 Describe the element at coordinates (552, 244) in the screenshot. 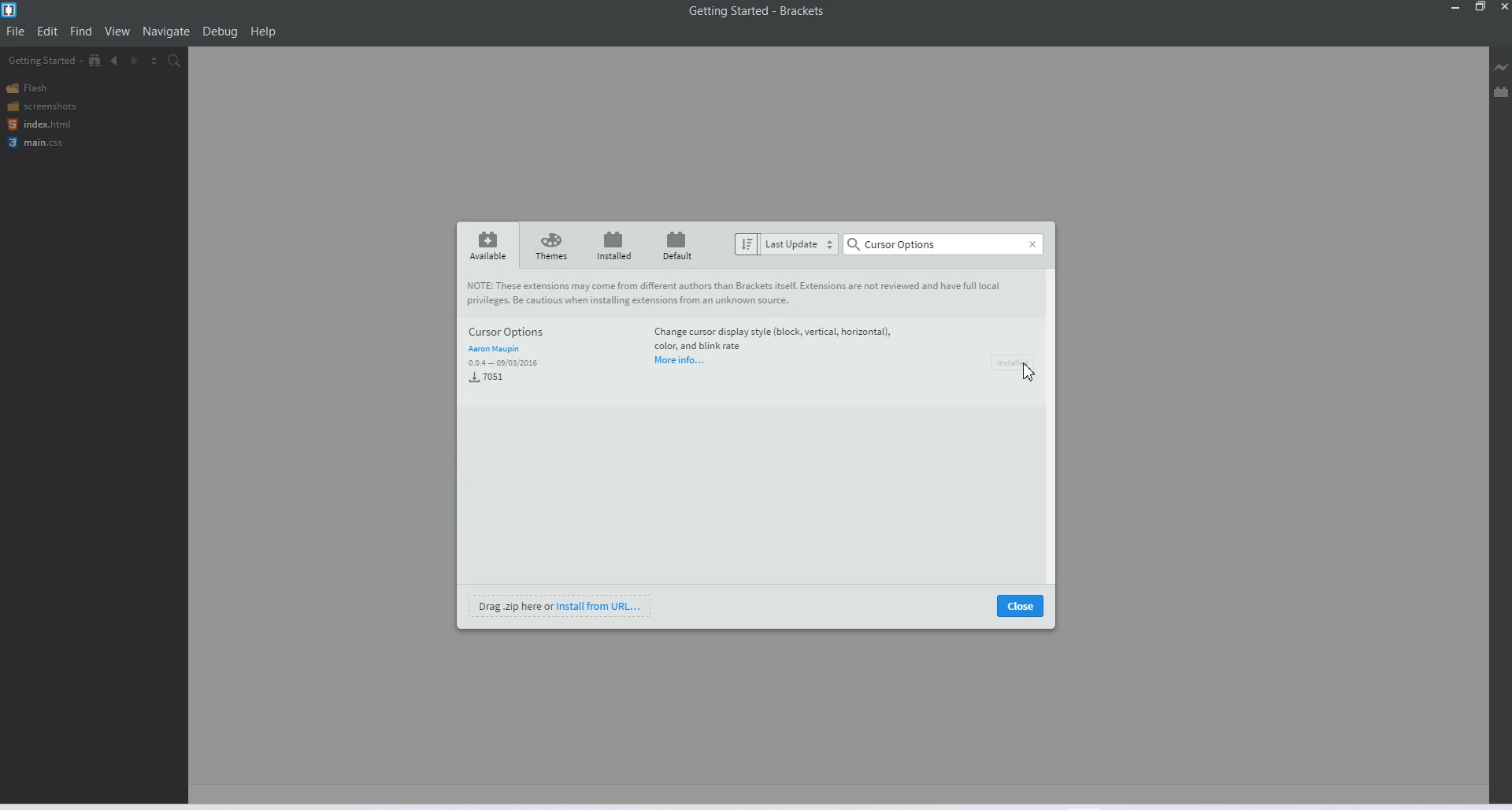

I see `themes` at that location.